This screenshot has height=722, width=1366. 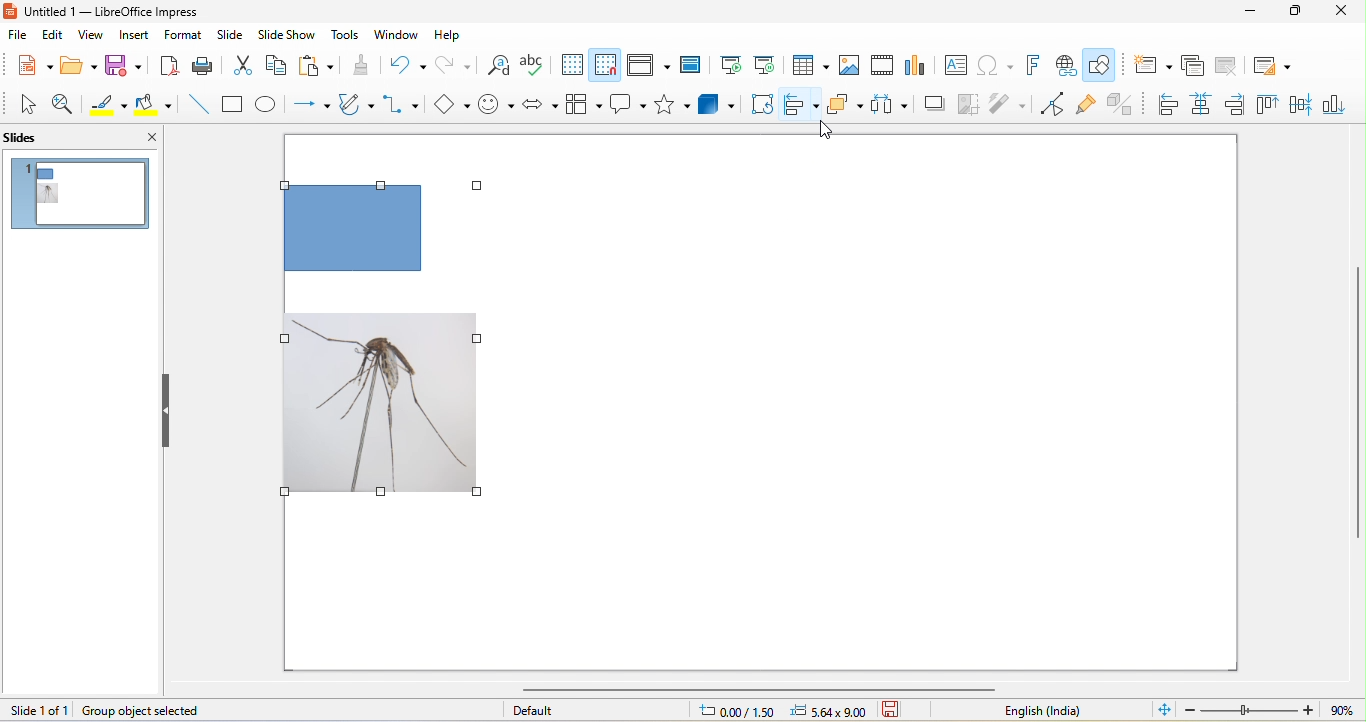 I want to click on right, so click(x=1235, y=106).